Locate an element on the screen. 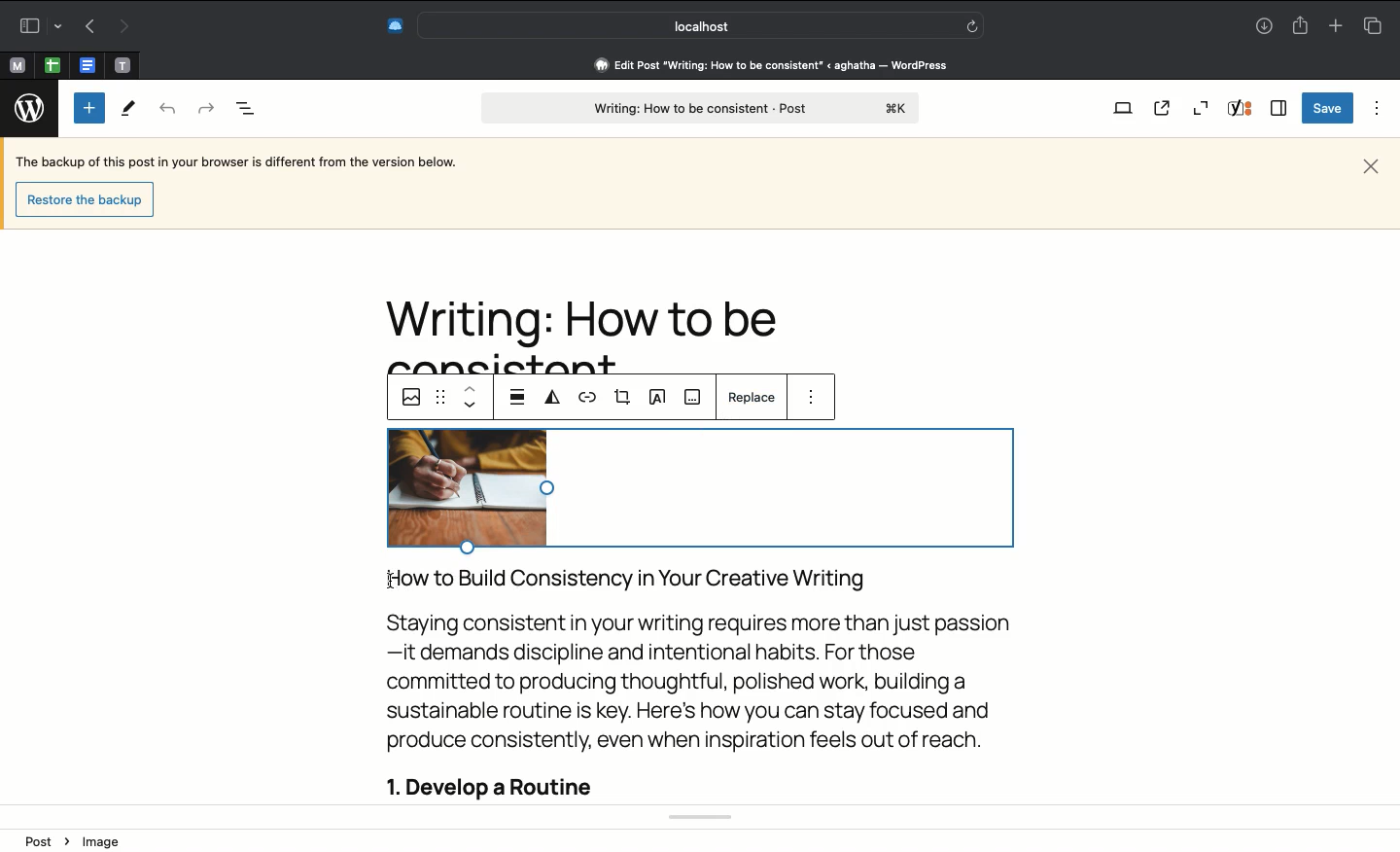  Body is located at coordinates (697, 682).